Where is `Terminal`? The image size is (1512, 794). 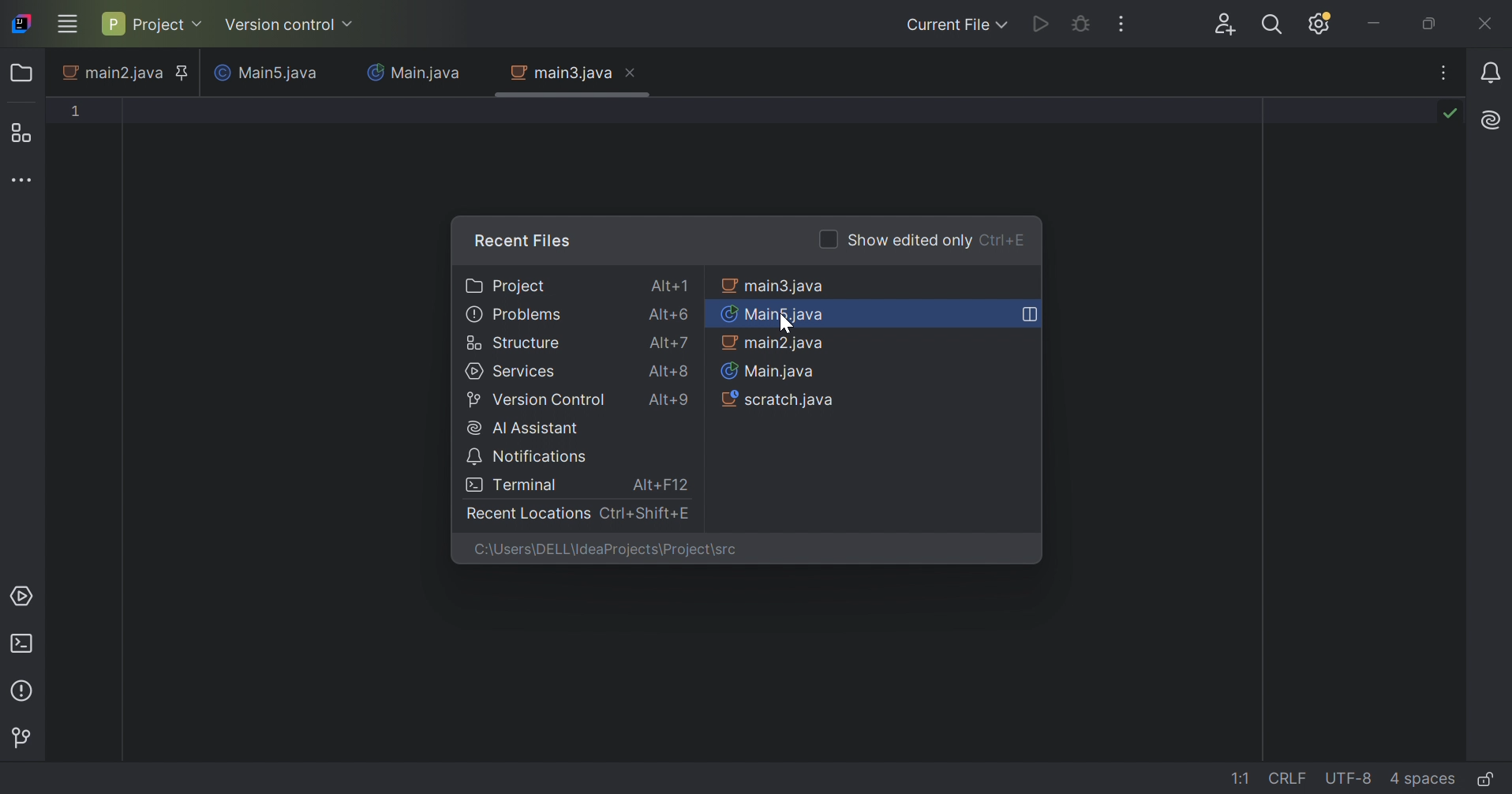 Terminal is located at coordinates (512, 485).